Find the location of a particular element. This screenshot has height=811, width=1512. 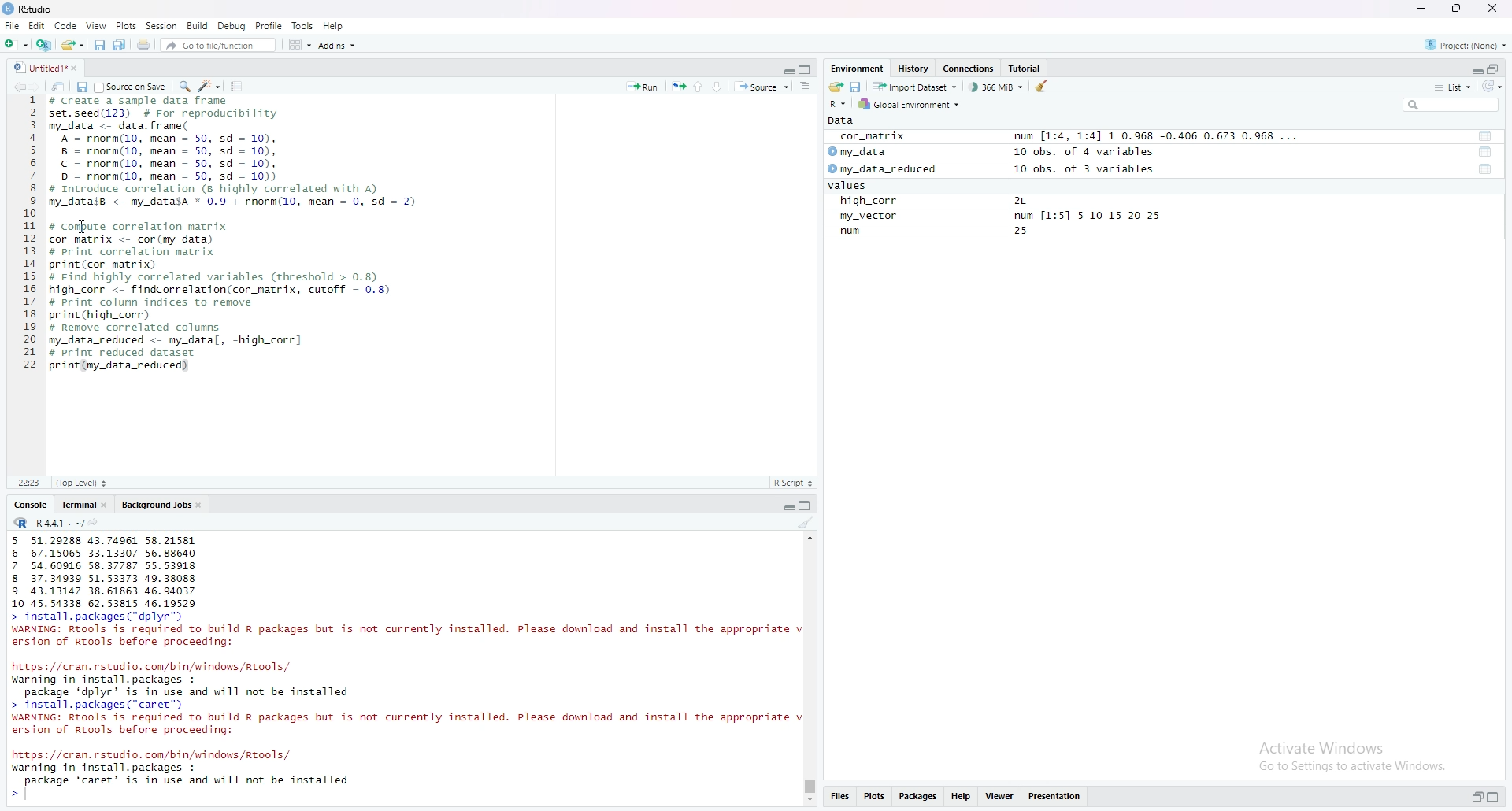

Tools is located at coordinates (304, 25).